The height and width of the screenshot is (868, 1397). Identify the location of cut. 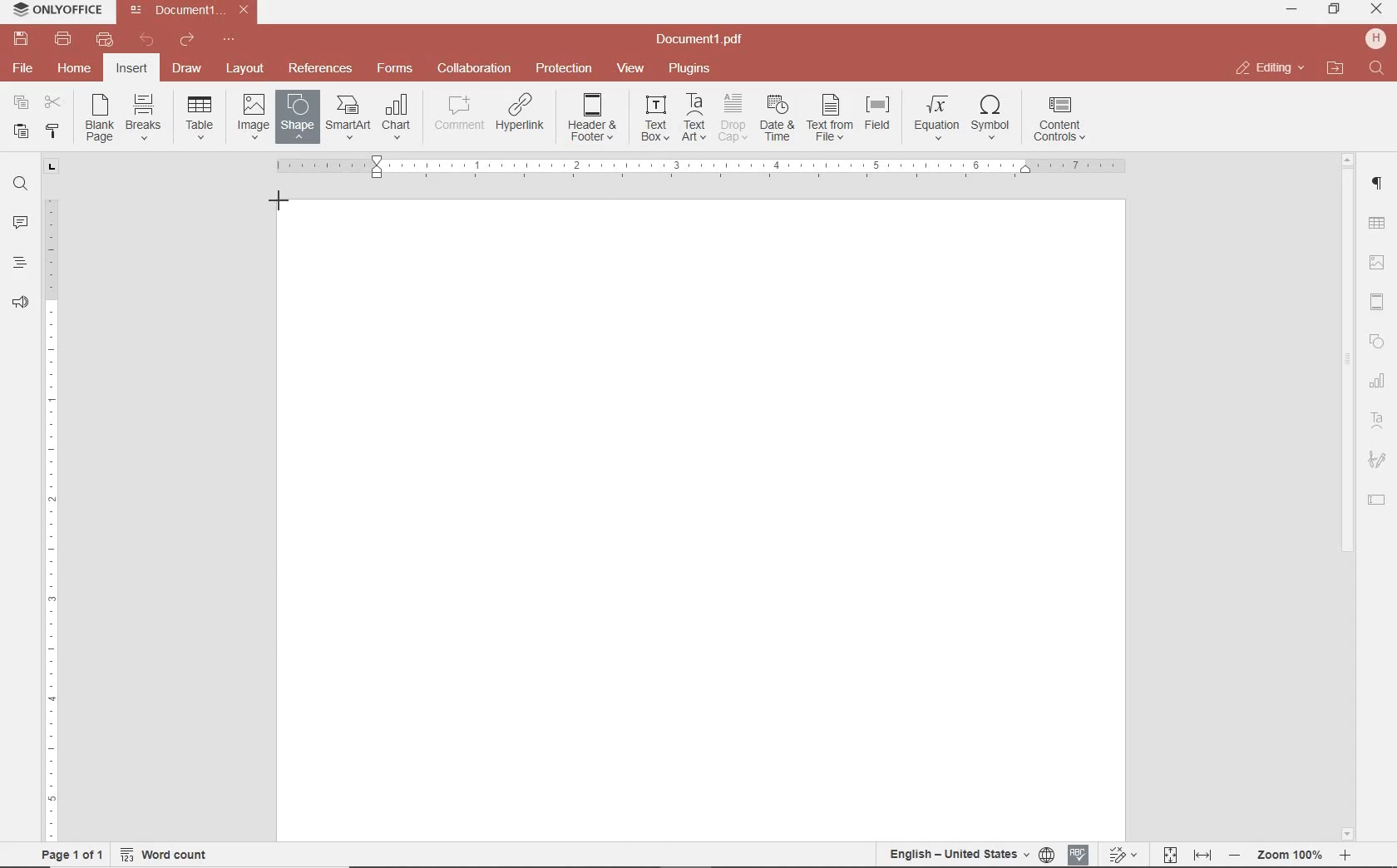
(52, 104).